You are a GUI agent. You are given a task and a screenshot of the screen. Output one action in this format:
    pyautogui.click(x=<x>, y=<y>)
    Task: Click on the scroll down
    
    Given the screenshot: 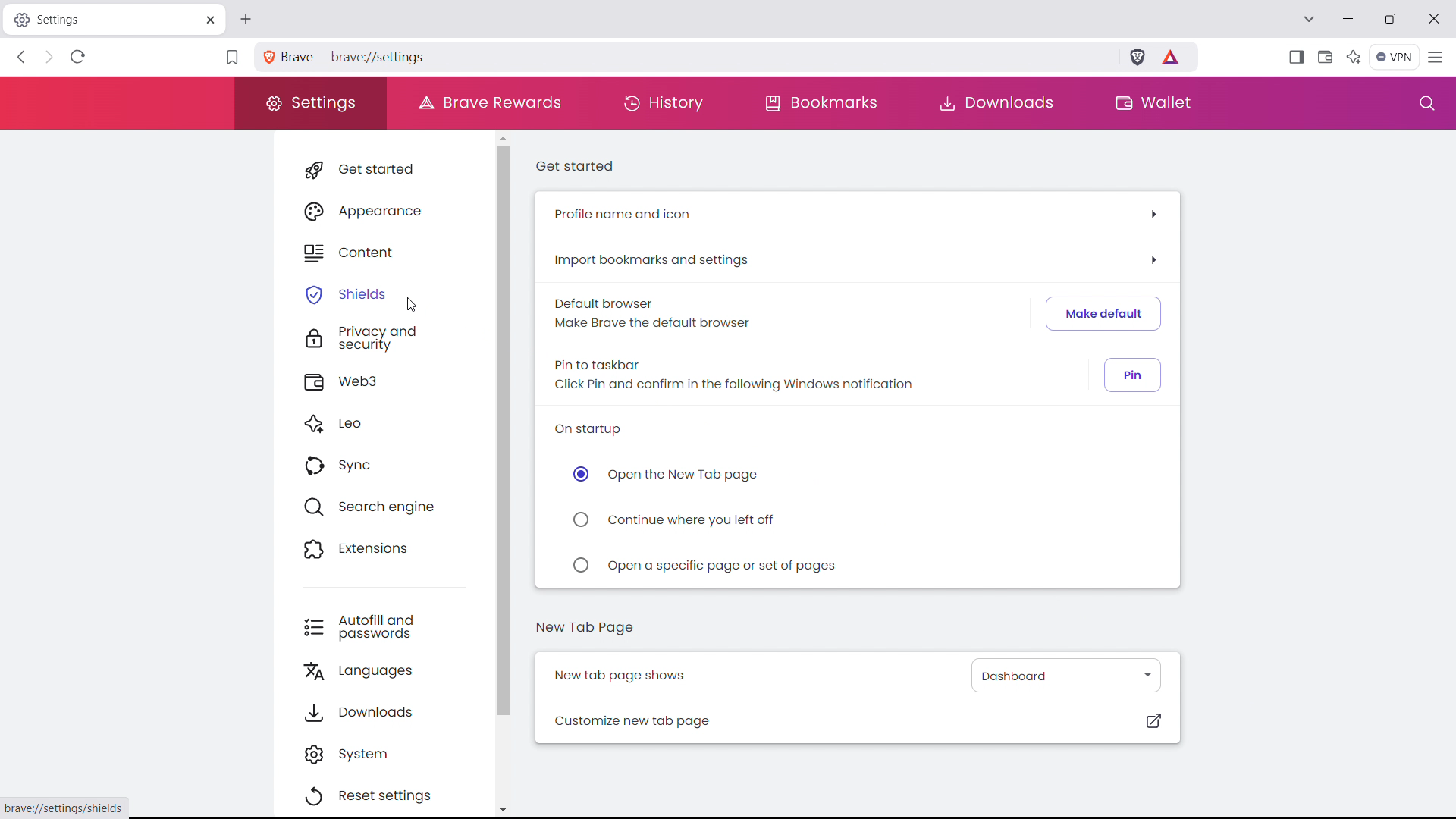 What is the action you would take?
    pyautogui.click(x=504, y=808)
    